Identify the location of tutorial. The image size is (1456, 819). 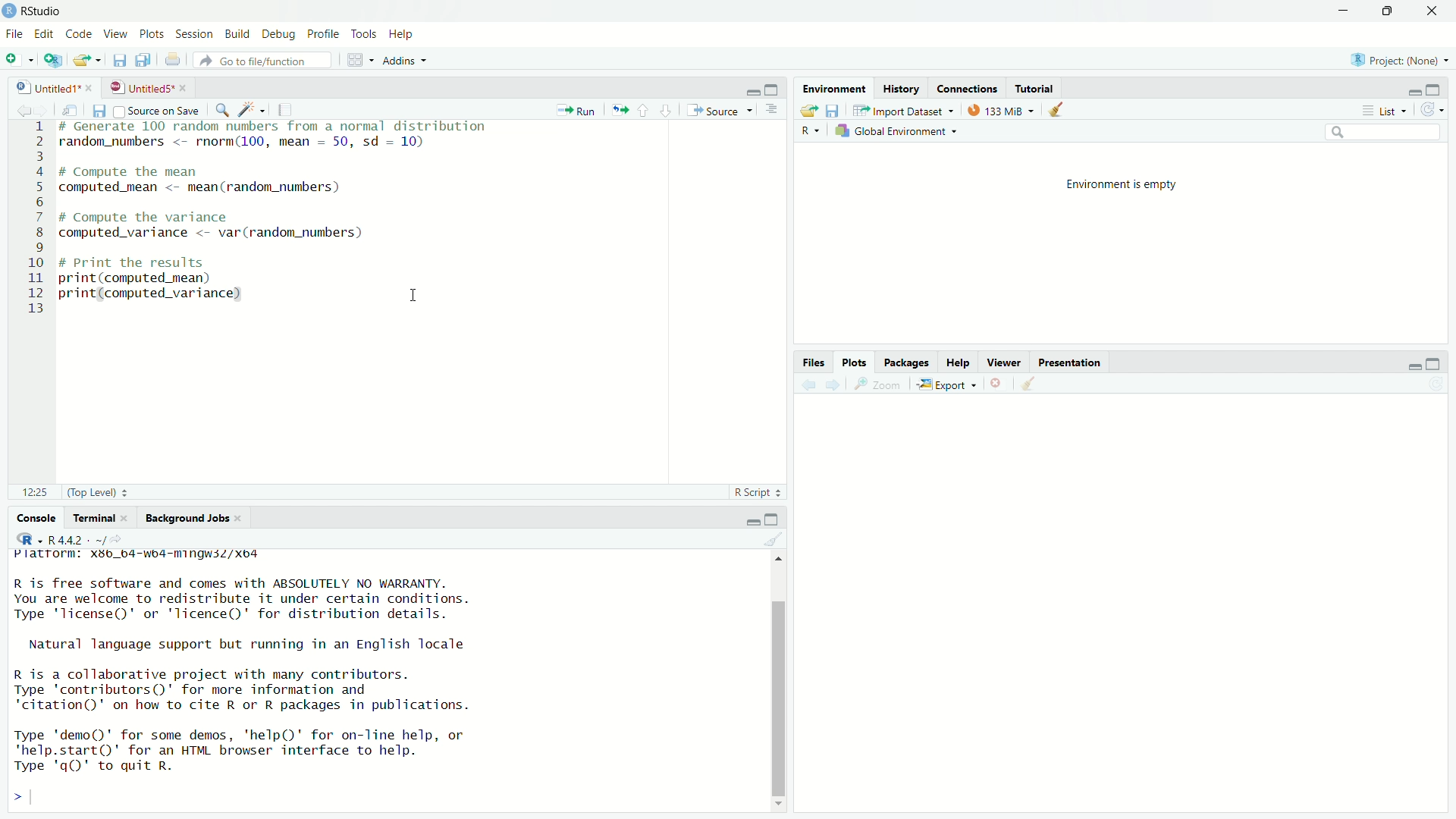
(1035, 88).